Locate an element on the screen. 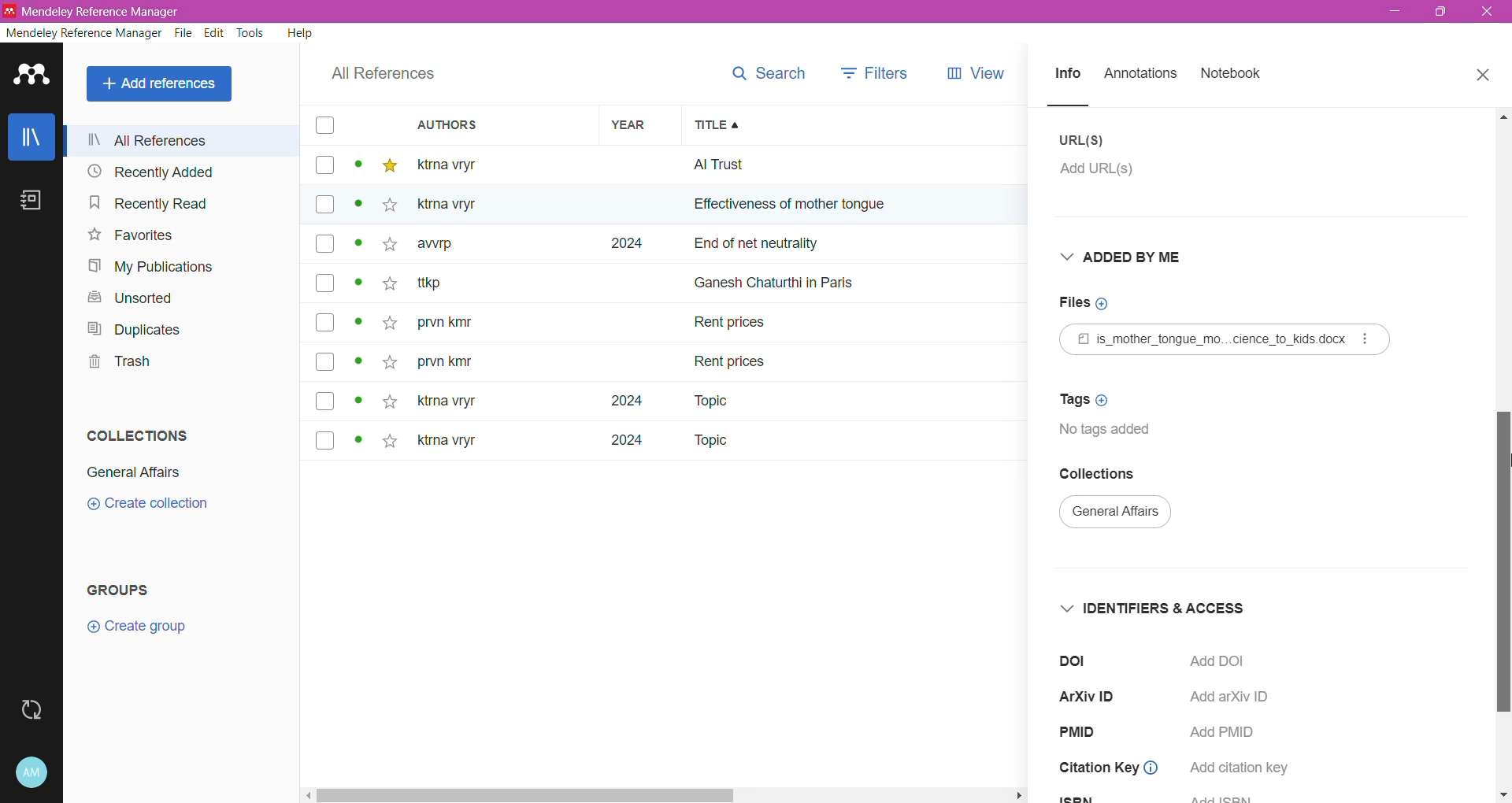 This screenshot has width=1512, height=803. create collection is located at coordinates (159, 509).